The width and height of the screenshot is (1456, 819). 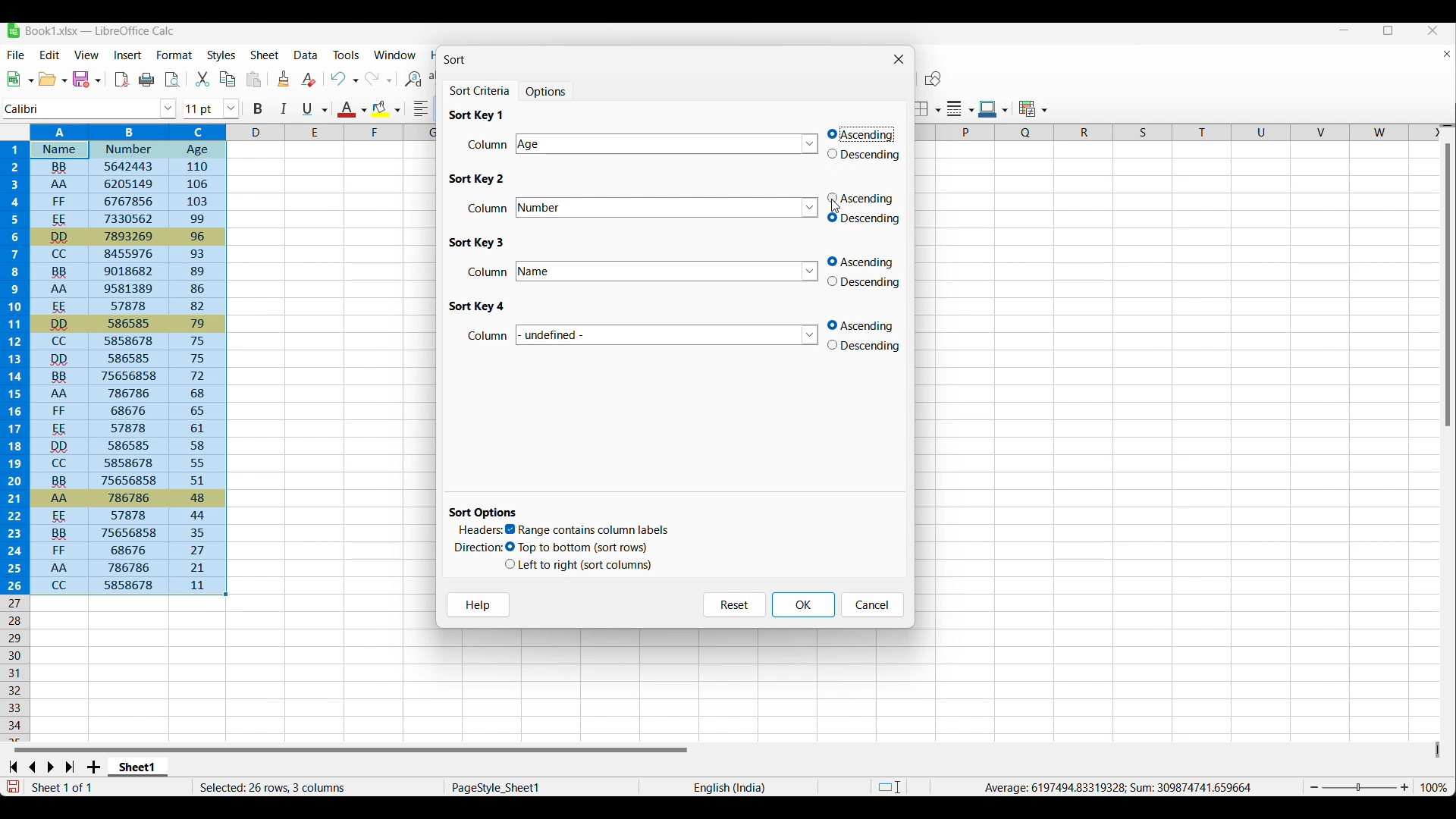 I want to click on Indicates sort by column, so click(x=491, y=207).